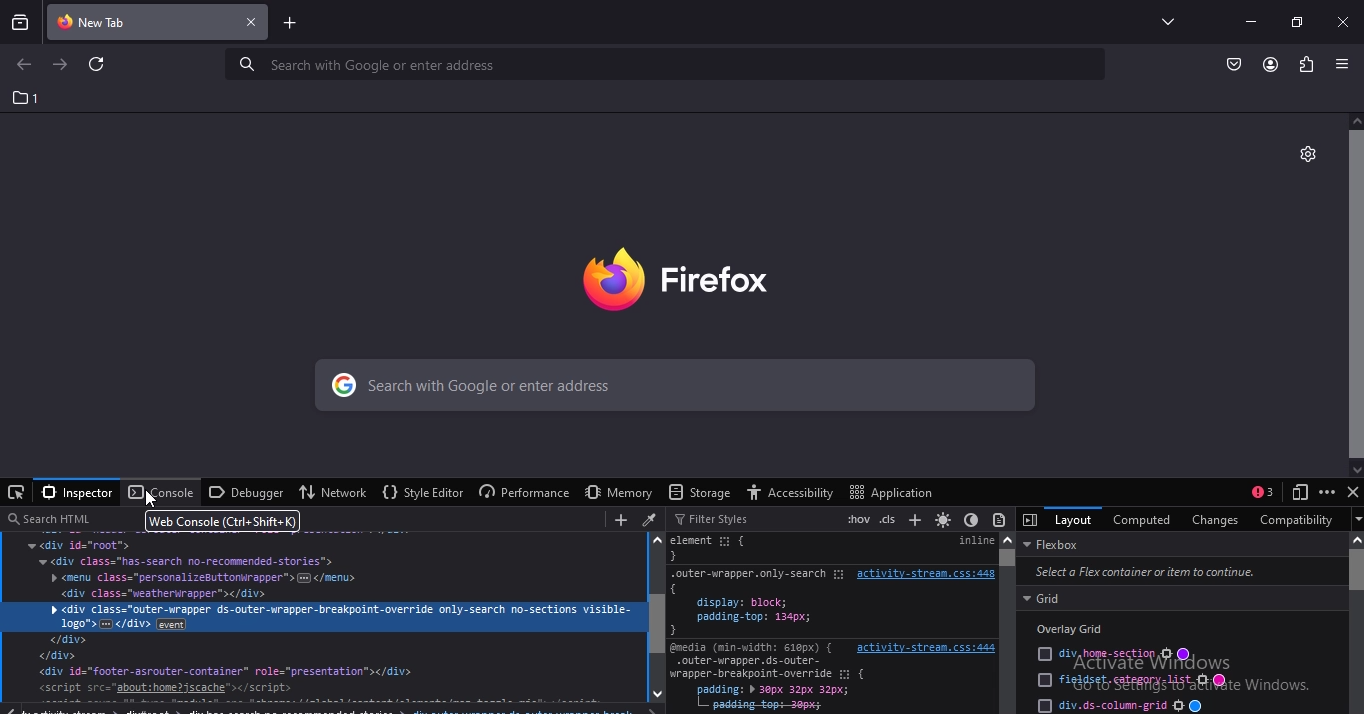 The image size is (1364, 714). Describe the element at coordinates (1235, 65) in the screenshot. I see `save to pocket` at that location.